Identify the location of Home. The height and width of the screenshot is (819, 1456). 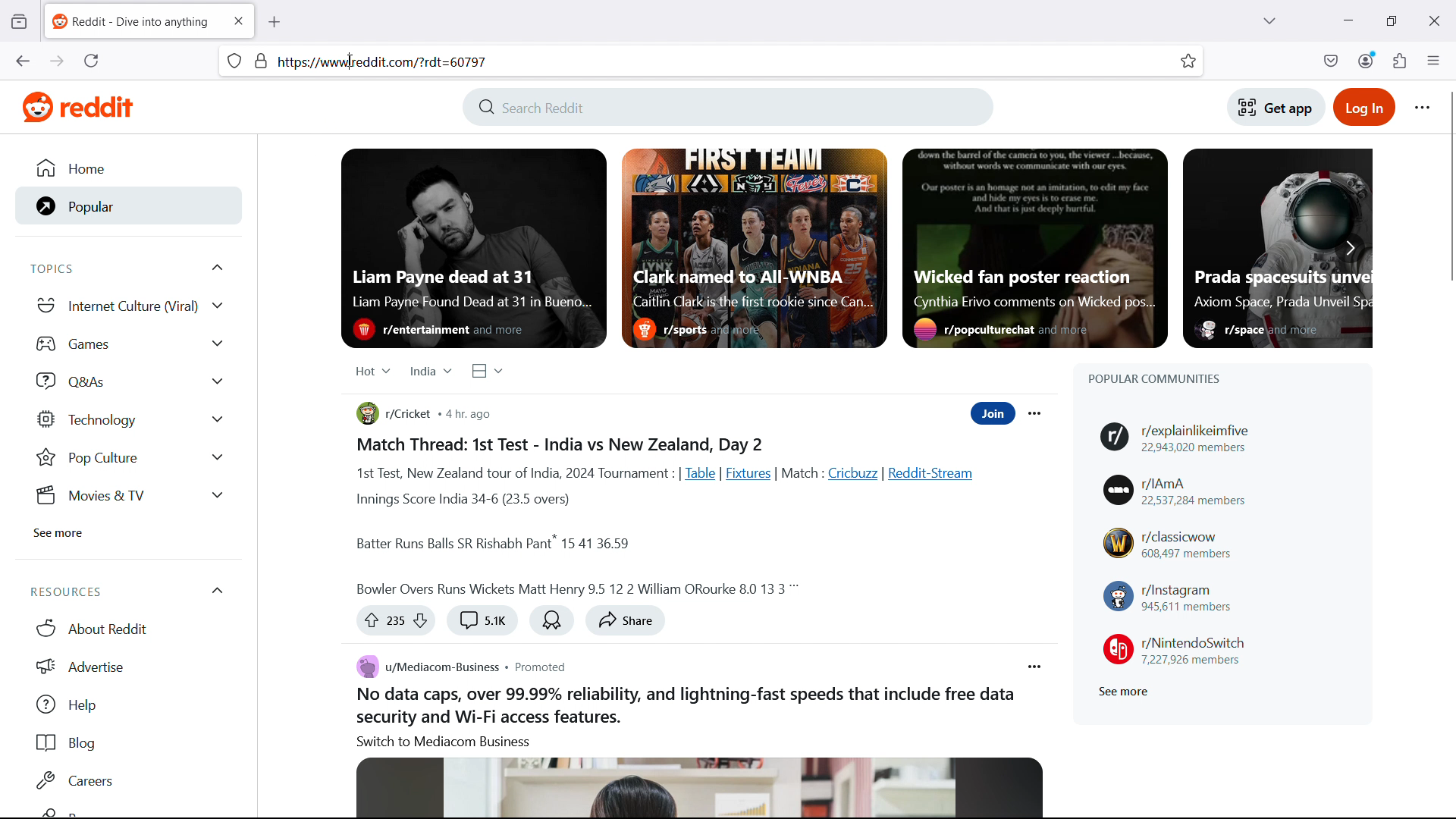
(118, 170).